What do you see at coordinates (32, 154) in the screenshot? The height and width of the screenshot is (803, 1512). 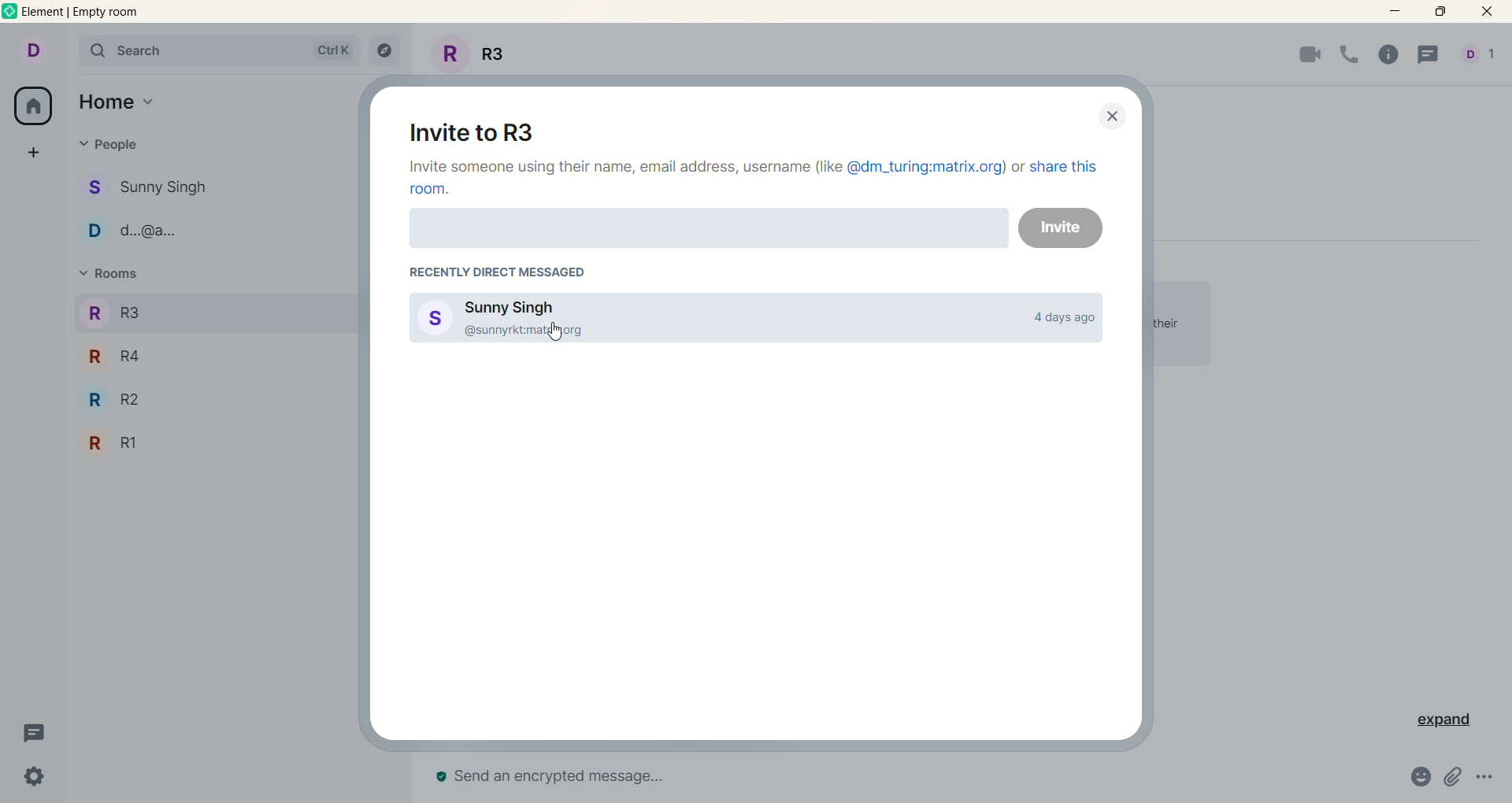 I see `create a space` at bounding box center [32, 154].